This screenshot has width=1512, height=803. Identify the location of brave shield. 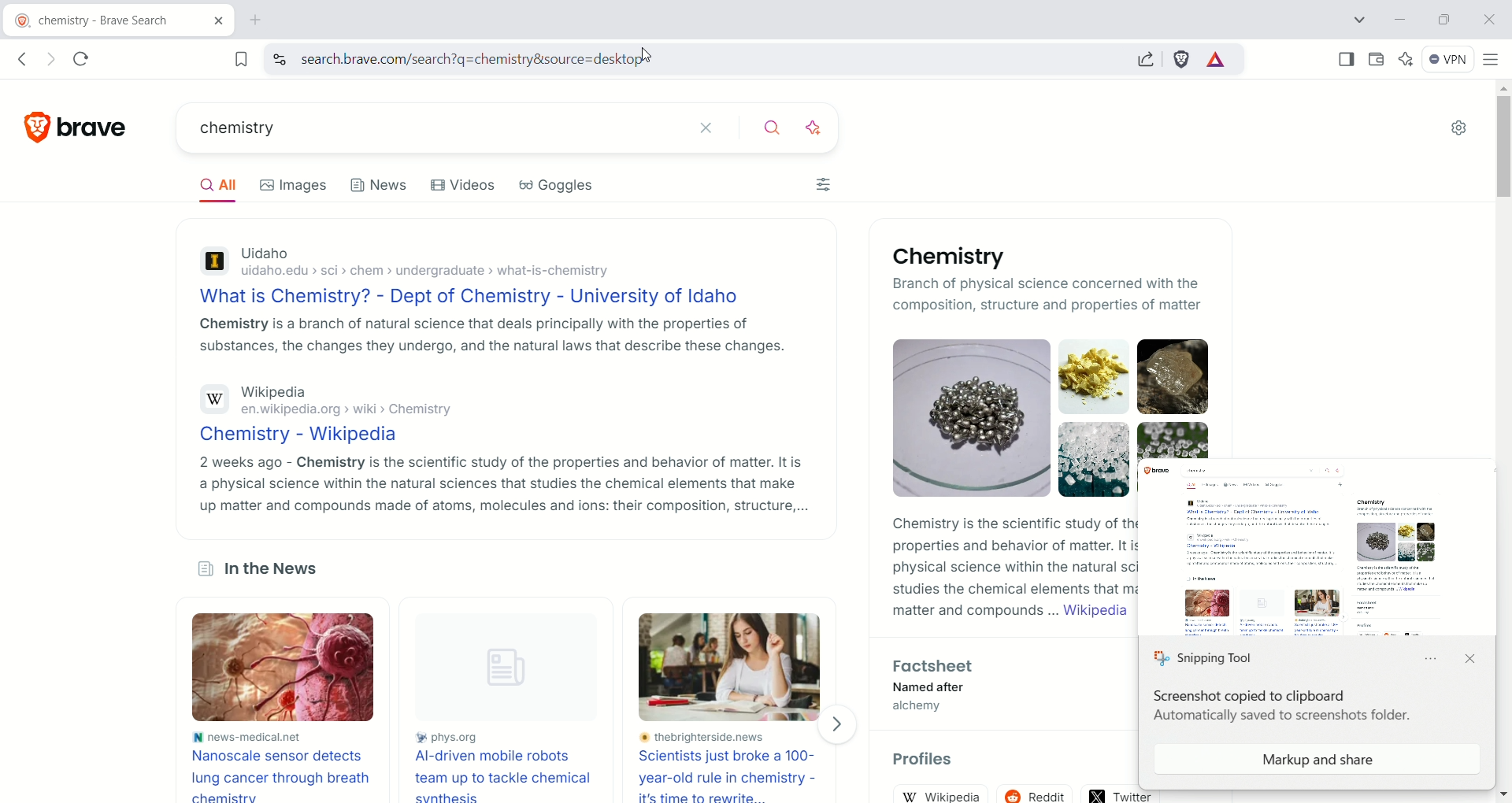
(1182, 59).